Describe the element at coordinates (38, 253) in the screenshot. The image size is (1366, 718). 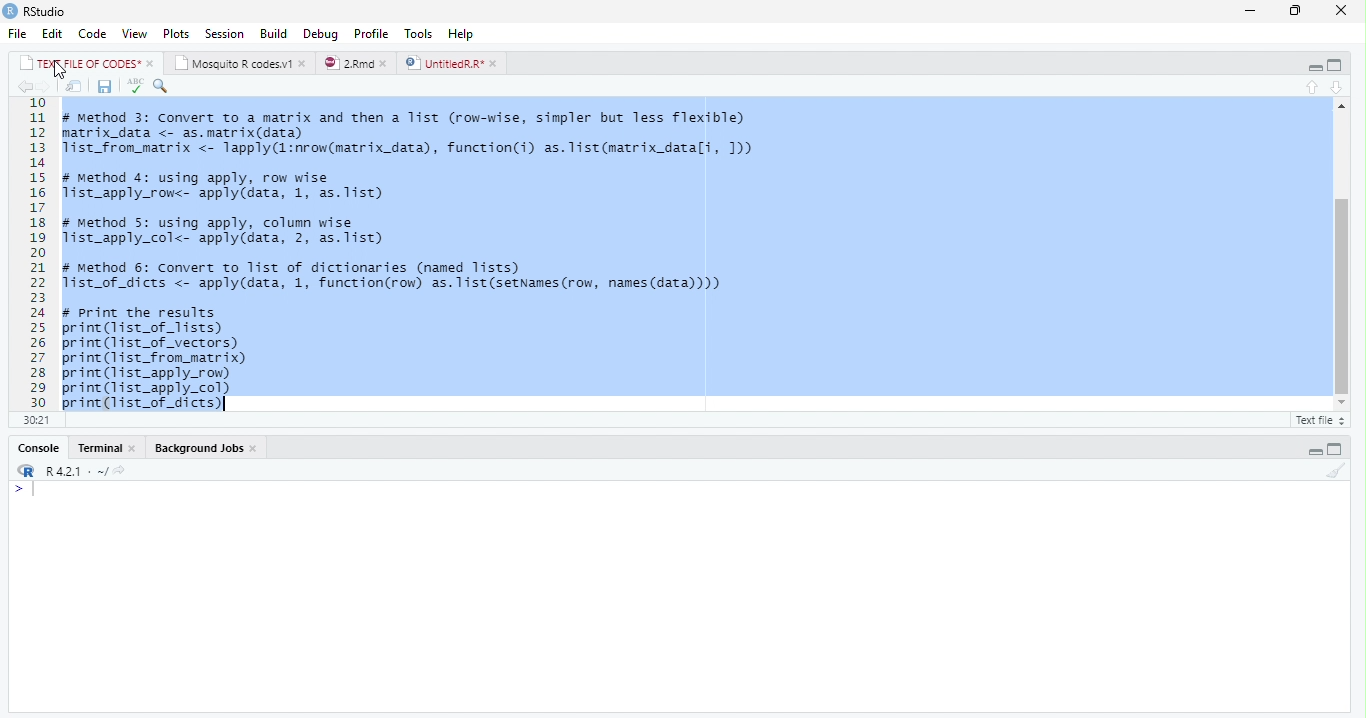
I see `Line number` at that location.